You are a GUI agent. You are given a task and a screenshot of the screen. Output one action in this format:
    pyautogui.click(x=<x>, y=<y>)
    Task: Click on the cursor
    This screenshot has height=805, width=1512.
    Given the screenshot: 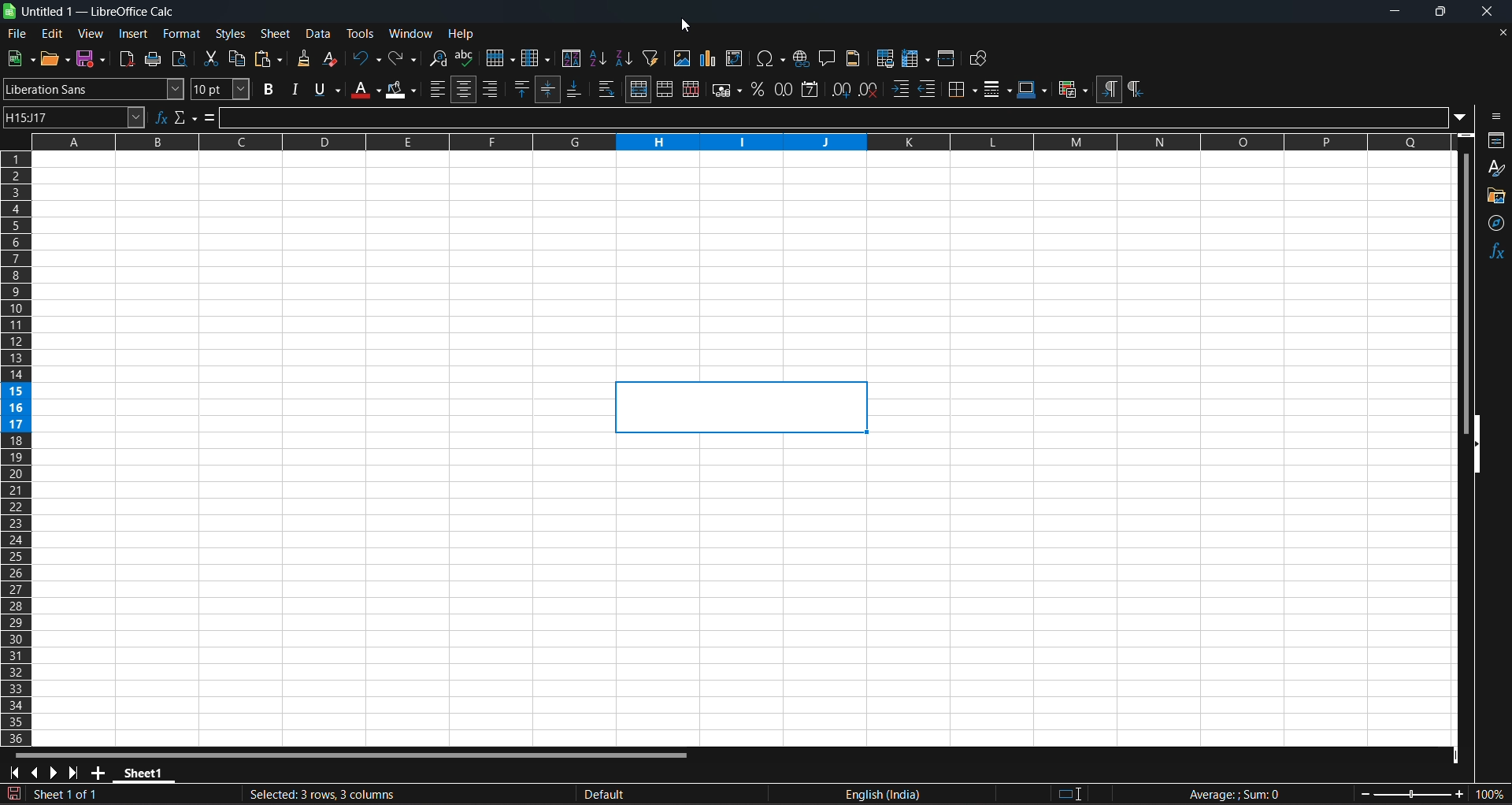 What is the action you would take?
    pyautogui.click(x=688, y=24)
    